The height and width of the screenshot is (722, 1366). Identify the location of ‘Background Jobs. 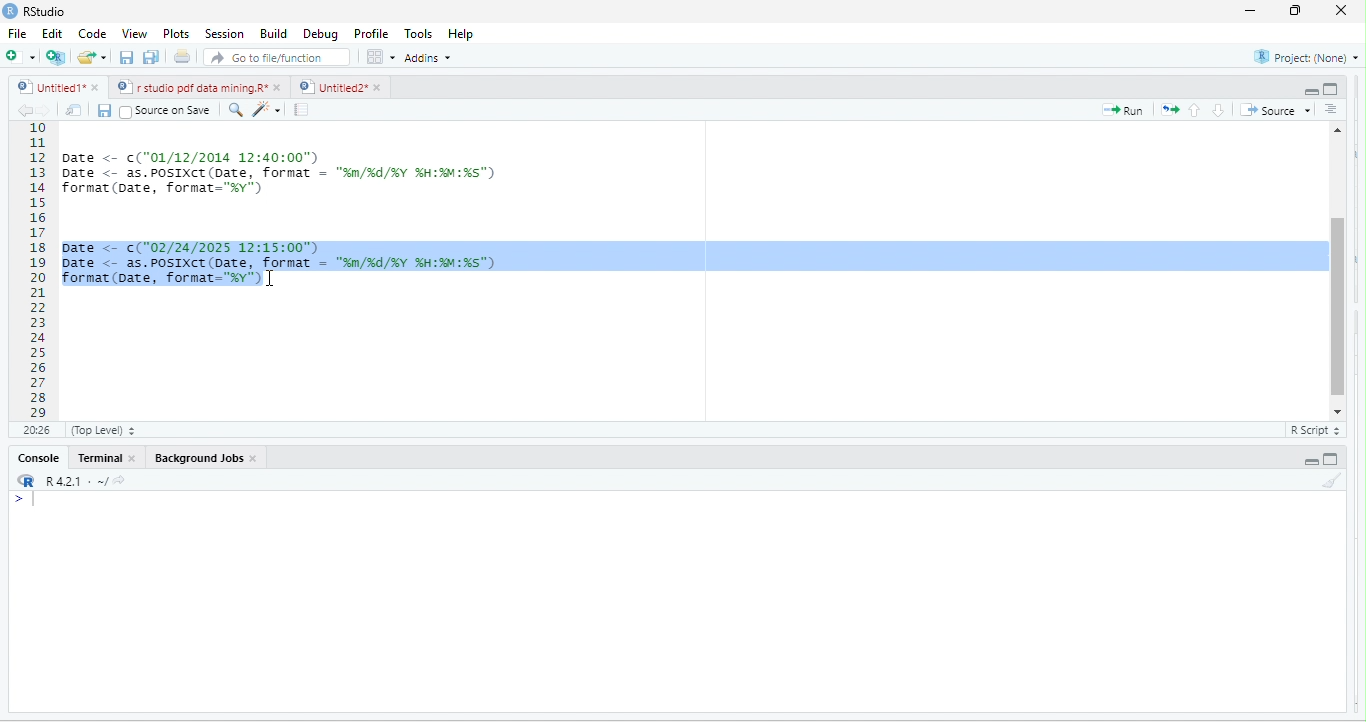
(197, 459).